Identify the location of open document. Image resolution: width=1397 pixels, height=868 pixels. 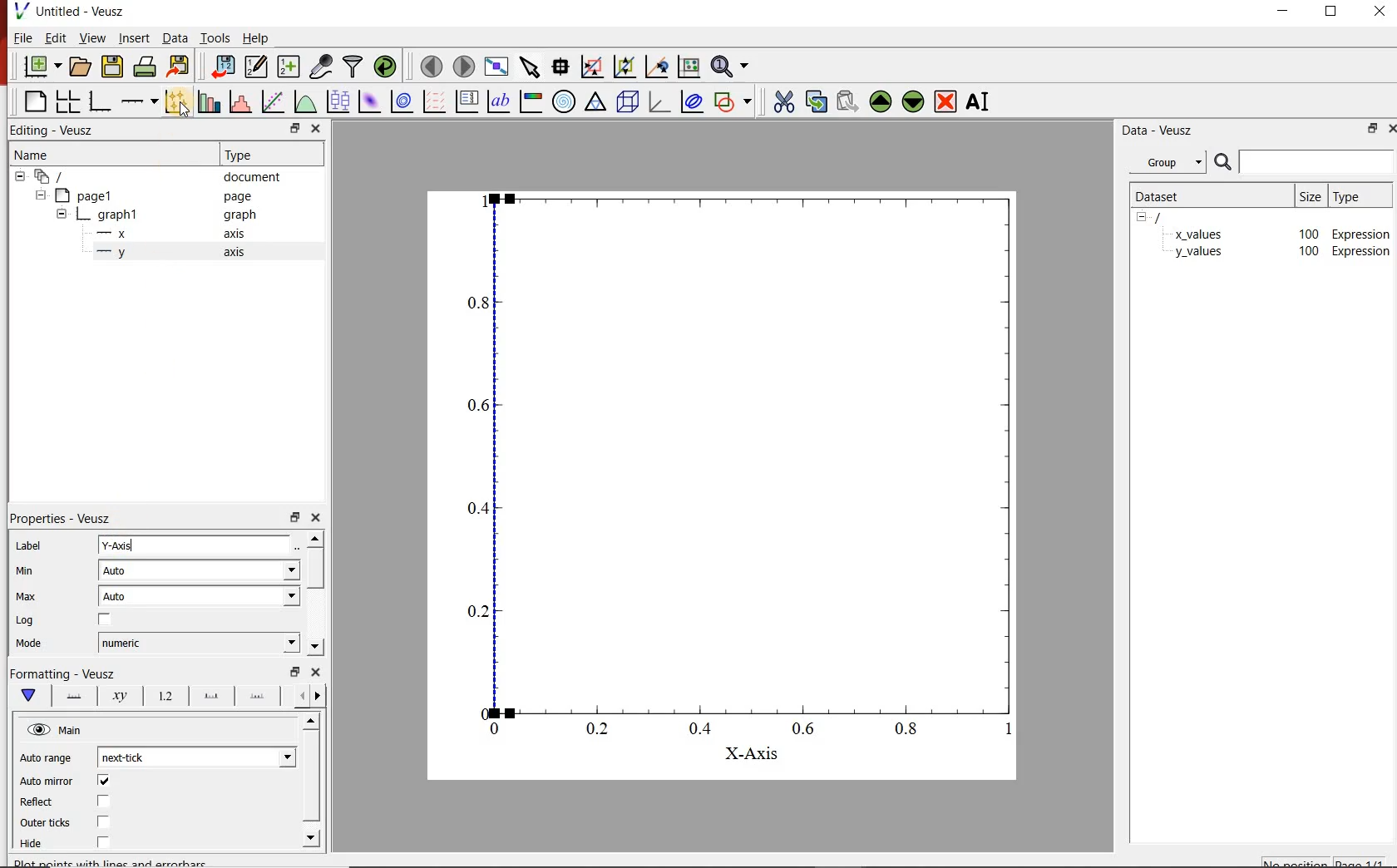
(81, 66).